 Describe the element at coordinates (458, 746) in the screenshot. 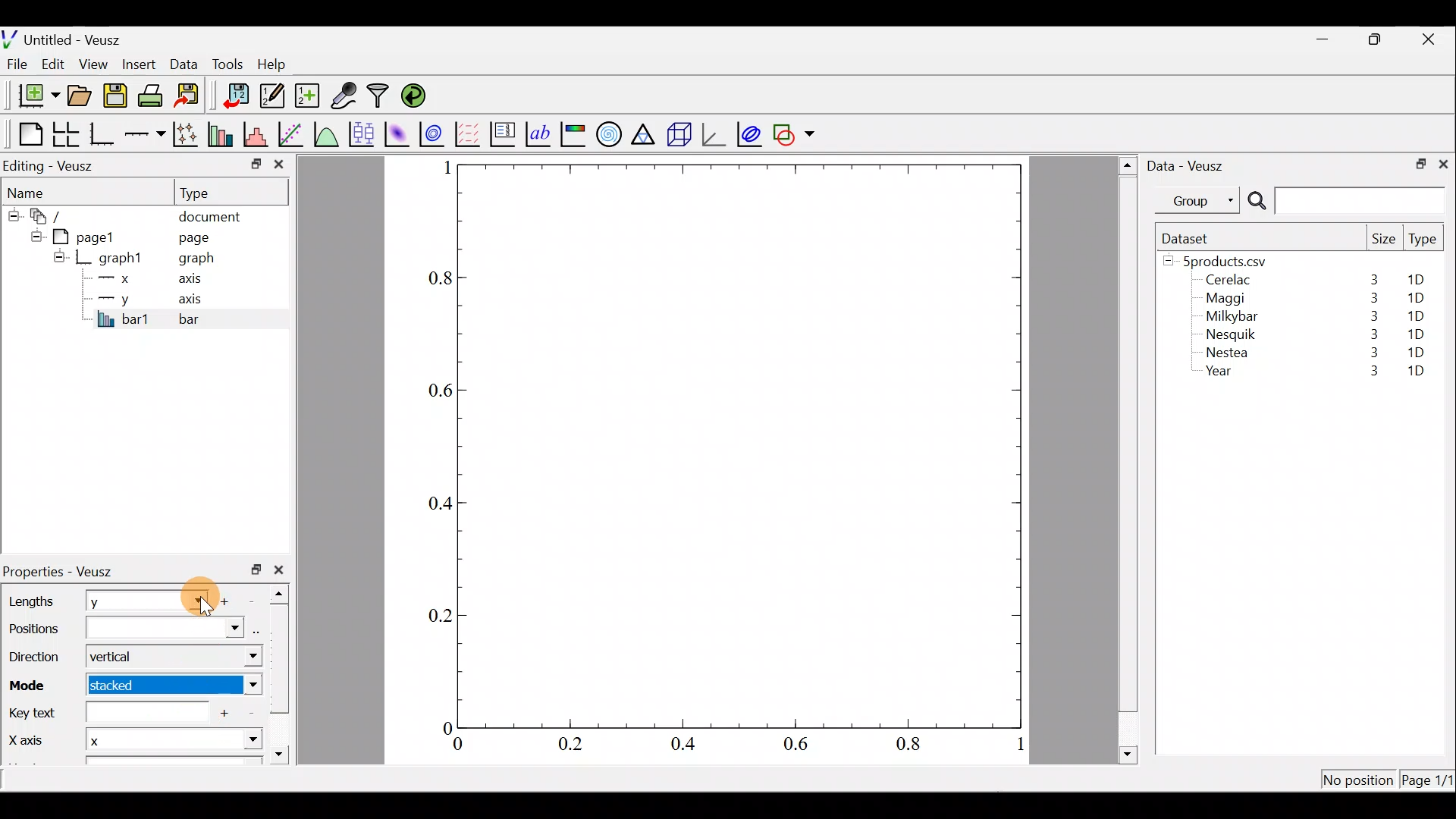

I see `0` at that location.